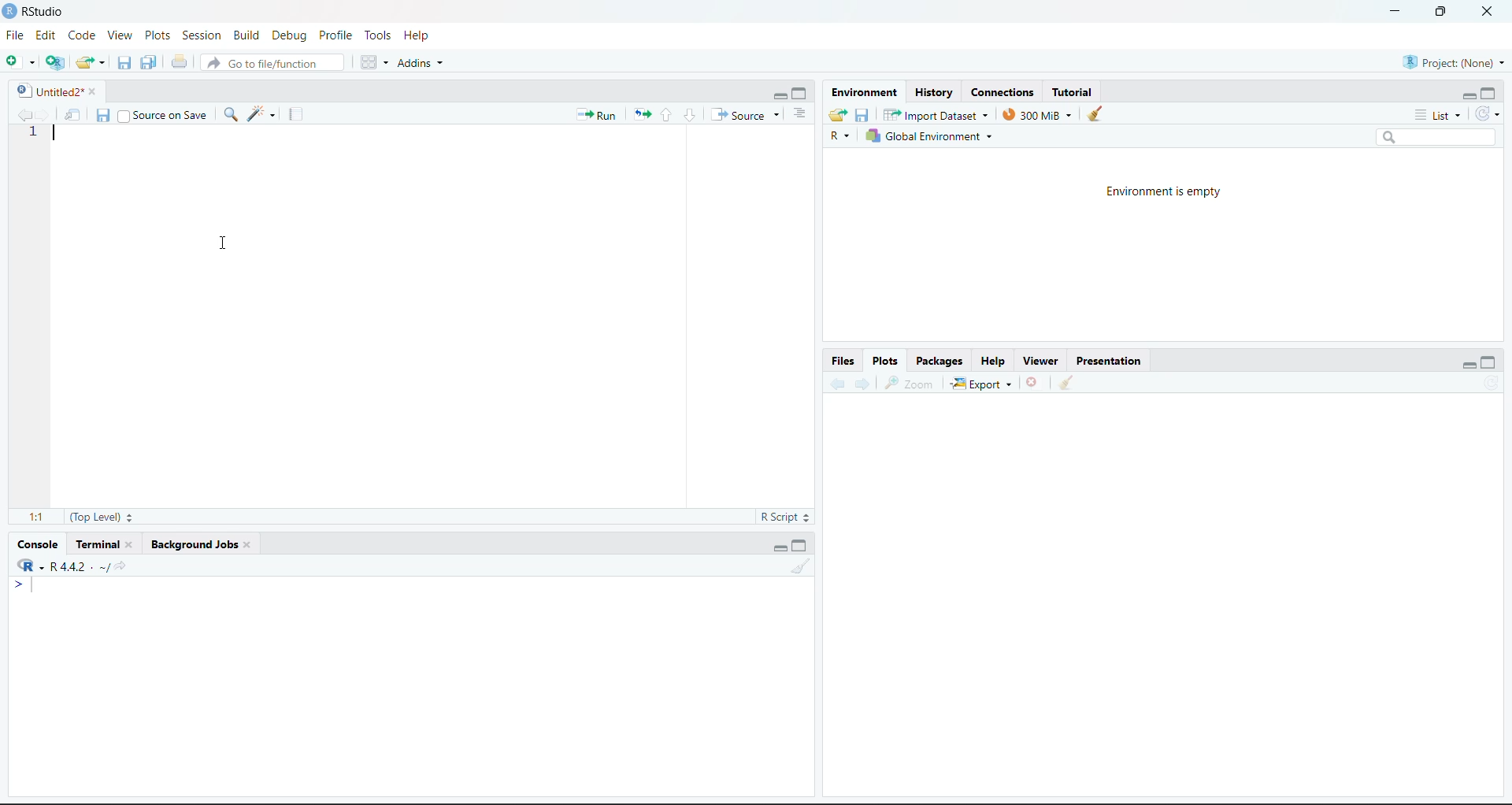 The image size is (1512, 805). What do you see at coordinates (640, 116) in the screenshot?
I see `re run the previous code` at bounding box center [640, 116].